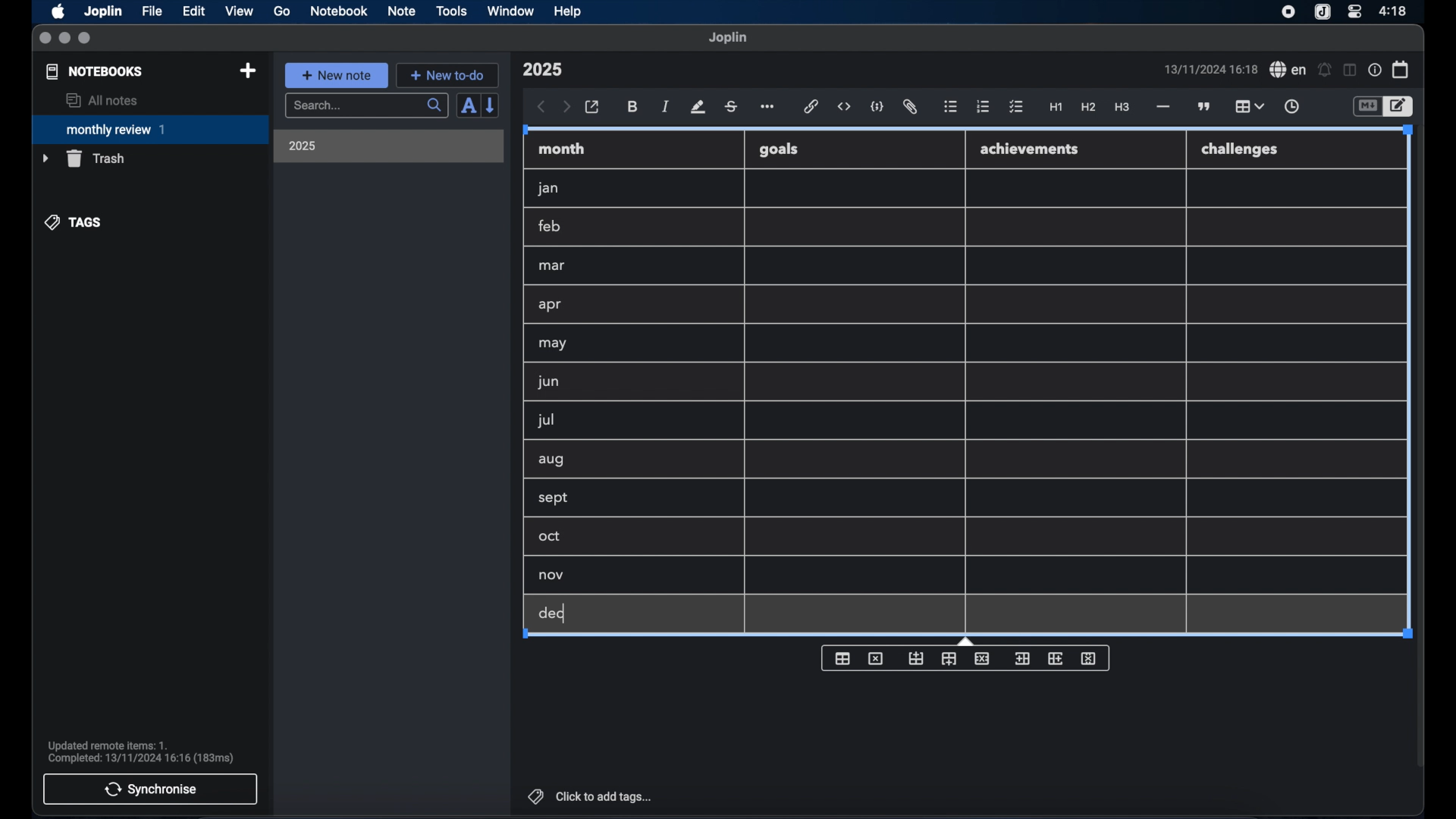  What do you see at coordinates (1288, 70) in the screenshot?
I see `spel check` at bounding box center [1288, 70].